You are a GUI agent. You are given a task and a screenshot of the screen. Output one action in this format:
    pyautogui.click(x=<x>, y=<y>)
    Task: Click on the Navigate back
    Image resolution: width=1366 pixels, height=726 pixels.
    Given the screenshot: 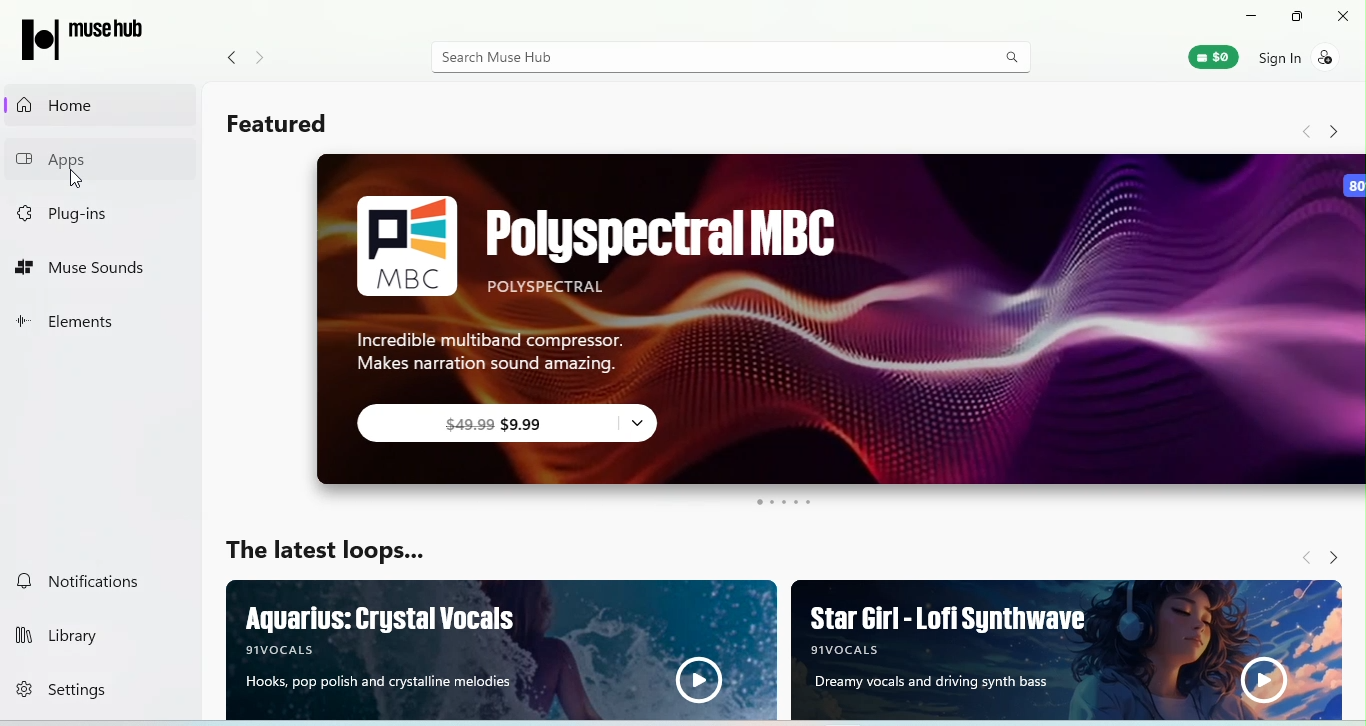 What is the action you would take?
    pyautogui.click(x=1309, y=131)
    